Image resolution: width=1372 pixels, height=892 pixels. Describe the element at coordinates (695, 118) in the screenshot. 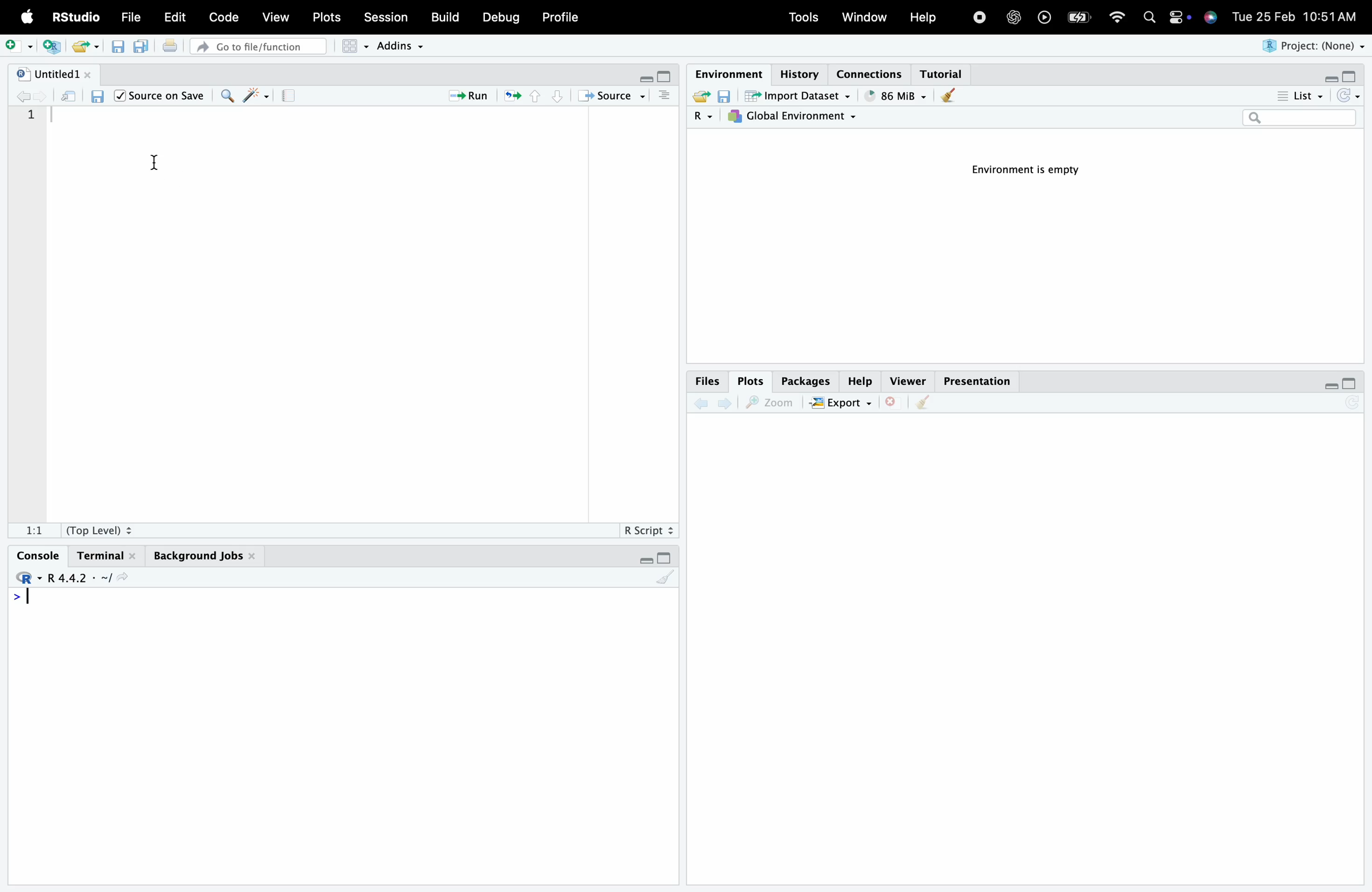

I see `R` at that location.